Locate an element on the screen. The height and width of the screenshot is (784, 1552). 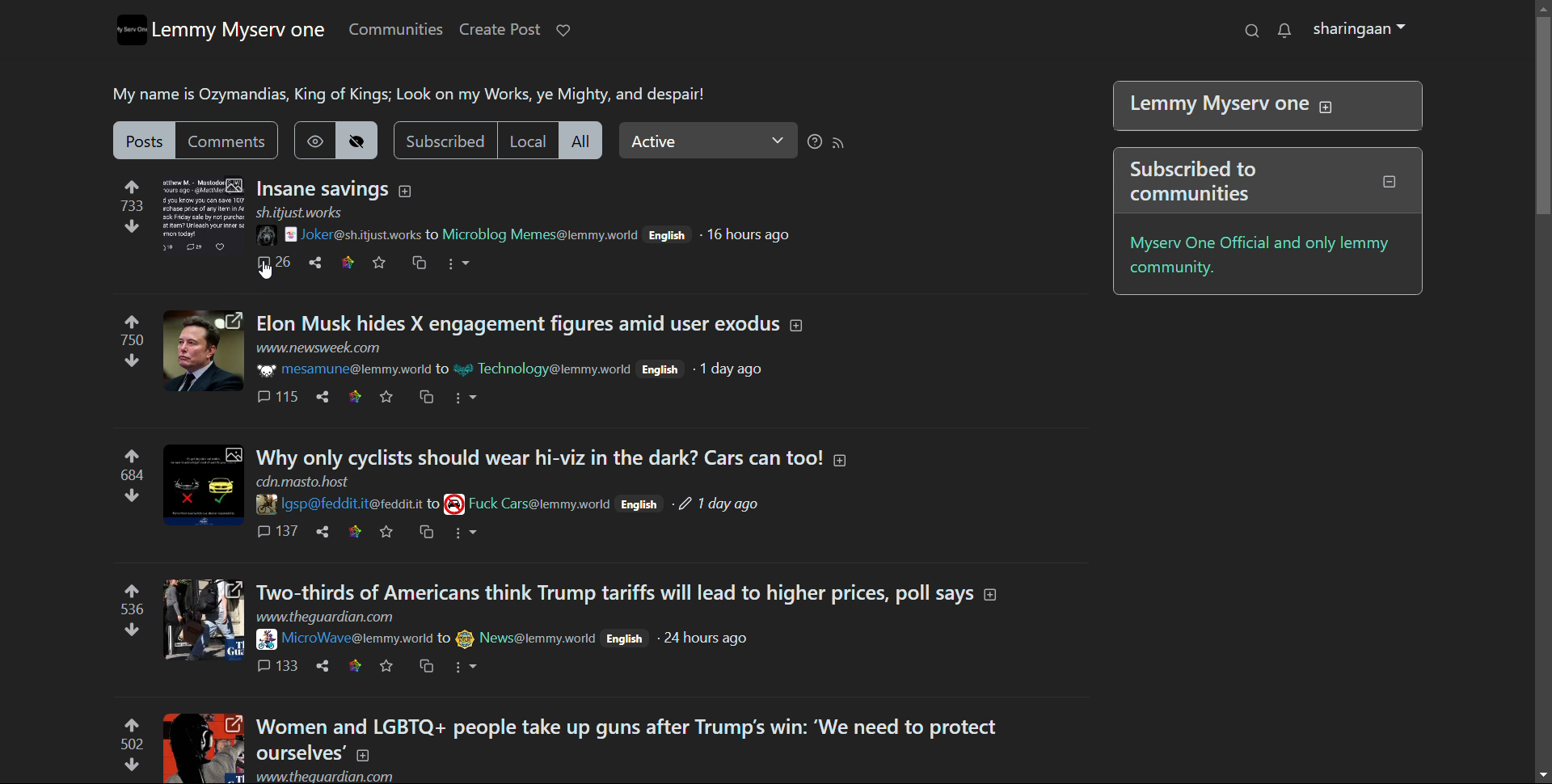
url is located at coordinates (299, 213).